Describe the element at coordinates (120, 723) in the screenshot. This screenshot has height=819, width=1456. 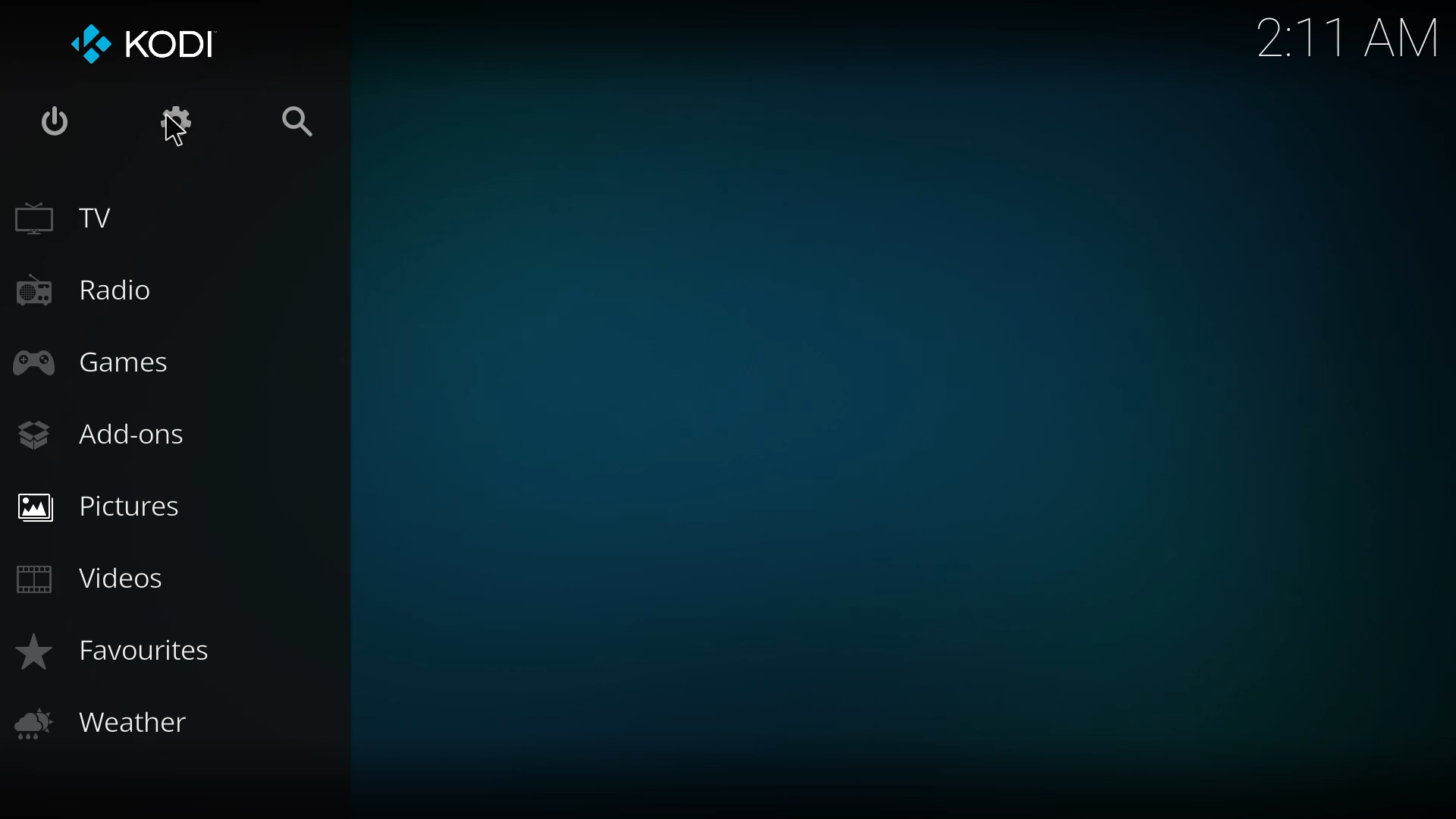
I see `weather` at that location.